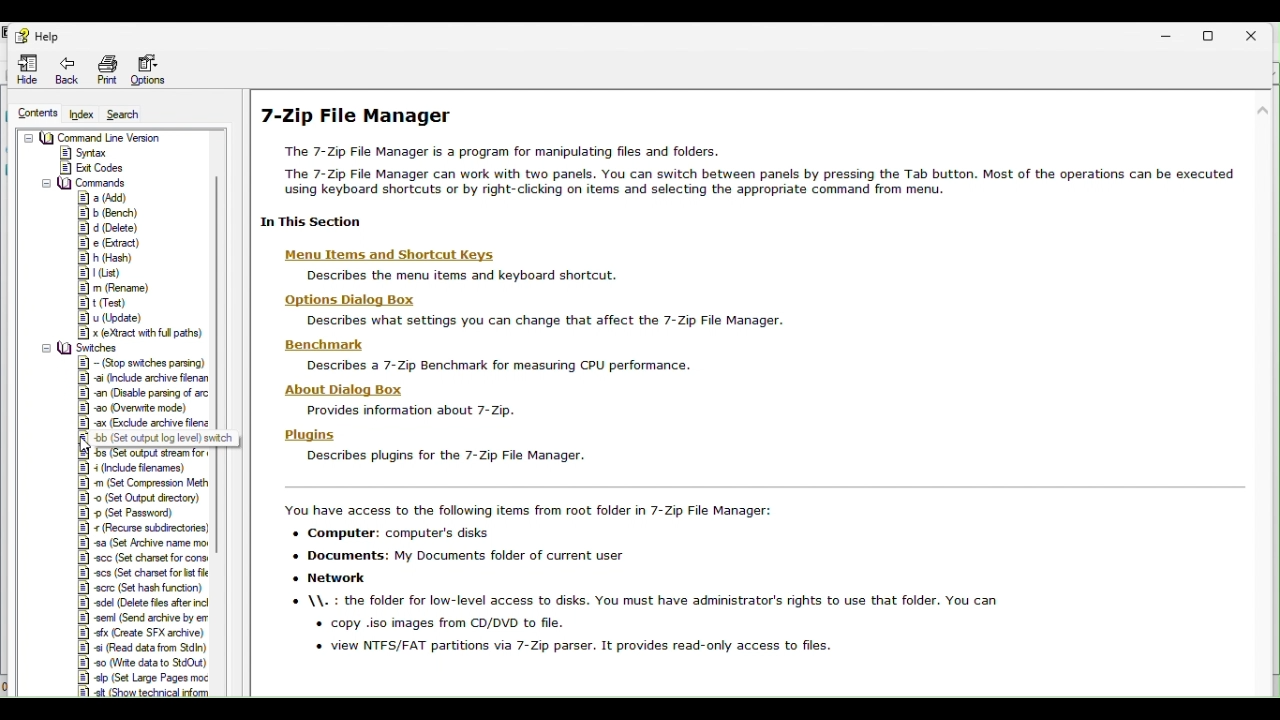 The image size is (1280, 720). What do you see at coordinates (141, 572) in the screenshot?
I see `18] acs (Set charset for het fil` at bounding box center [141, 572].